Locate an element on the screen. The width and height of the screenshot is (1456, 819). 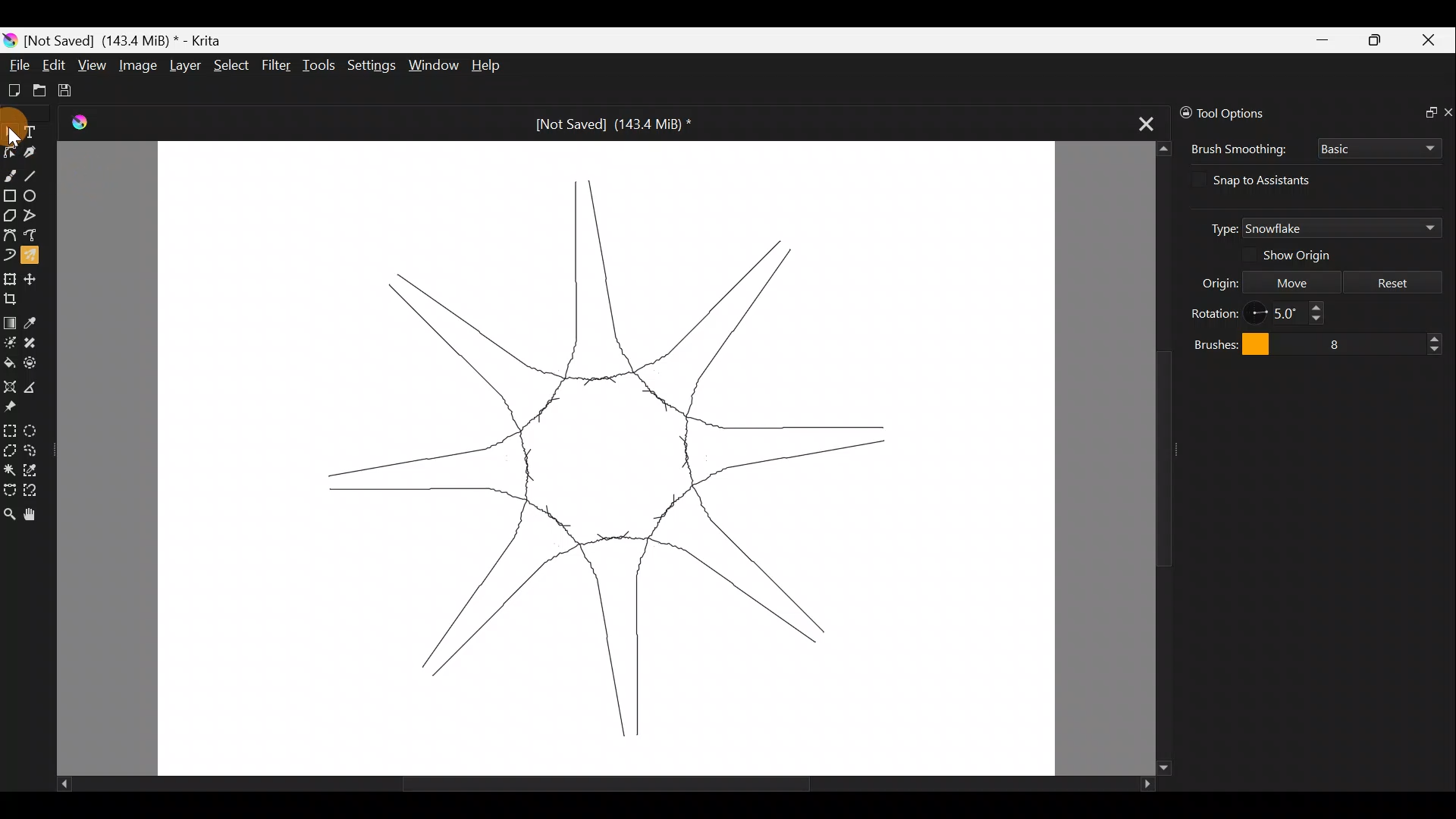
Tool options is located at coordinates (1248, 113).